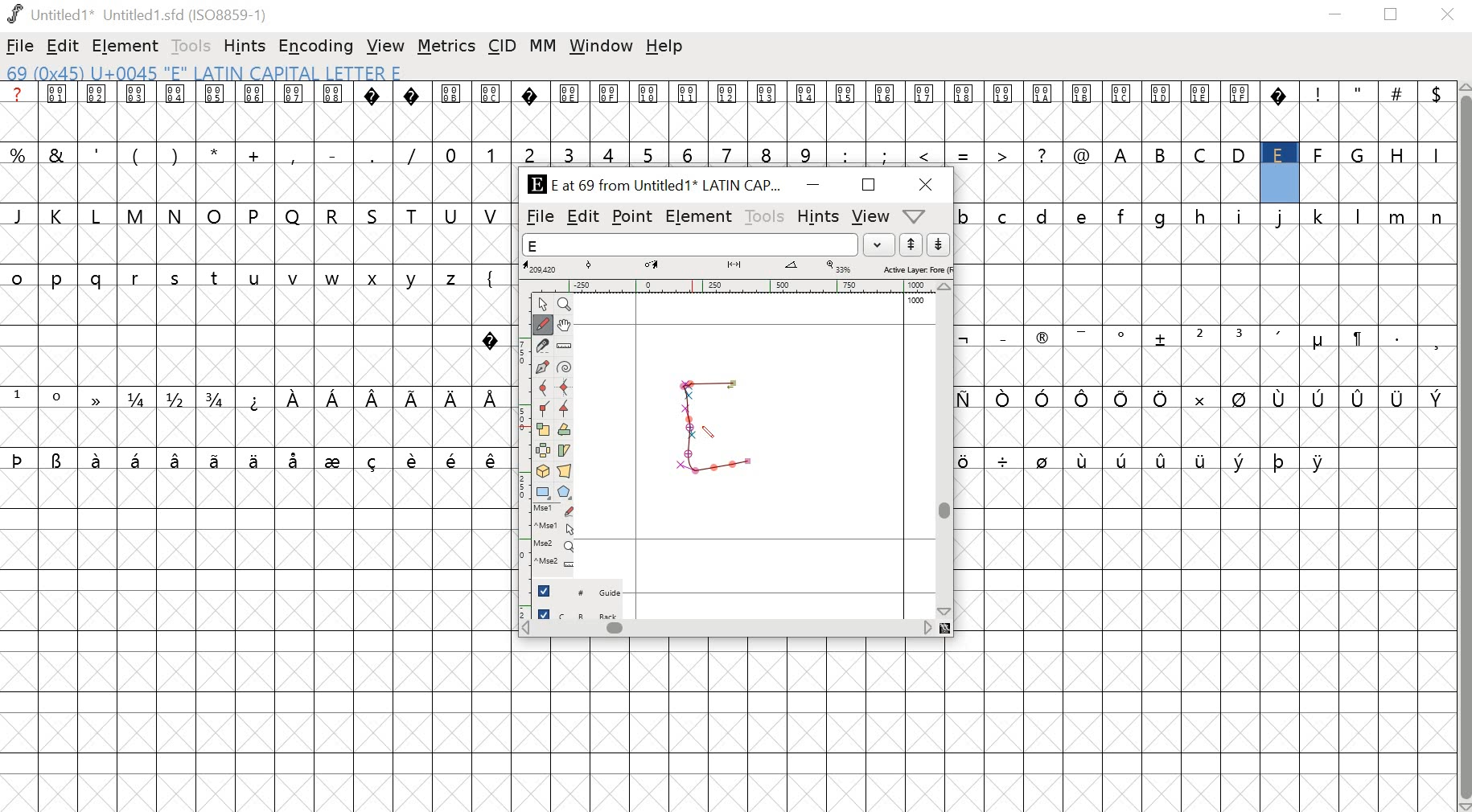 The height and width of the screenshot is (812, 1472). Describe the element at coordinates (256, 247) in the screenshot. I see `empty cells` at that location.